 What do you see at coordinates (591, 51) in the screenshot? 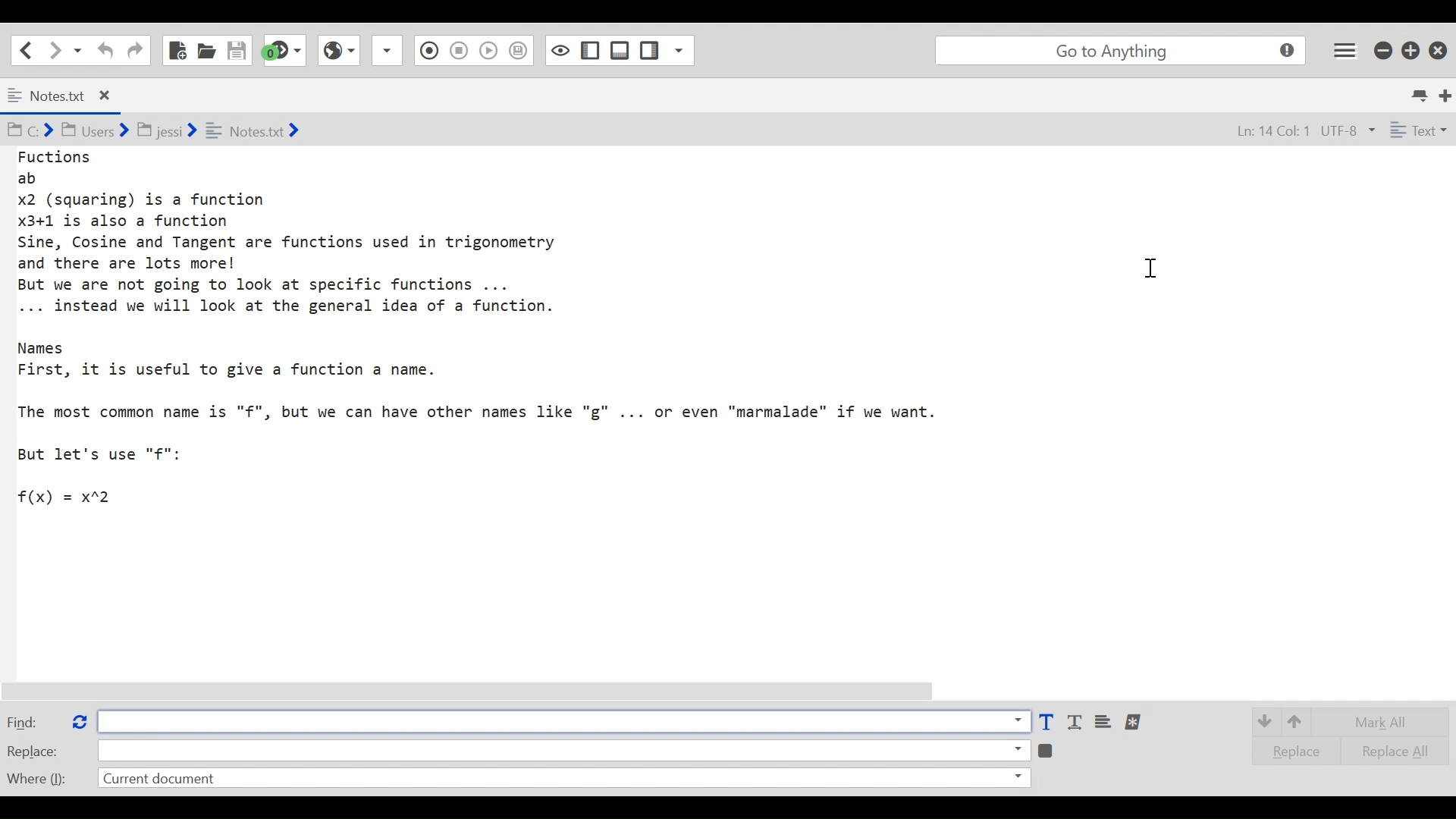
I see `Show/Hide Bottom Pane` at bounding box center [591, 51].